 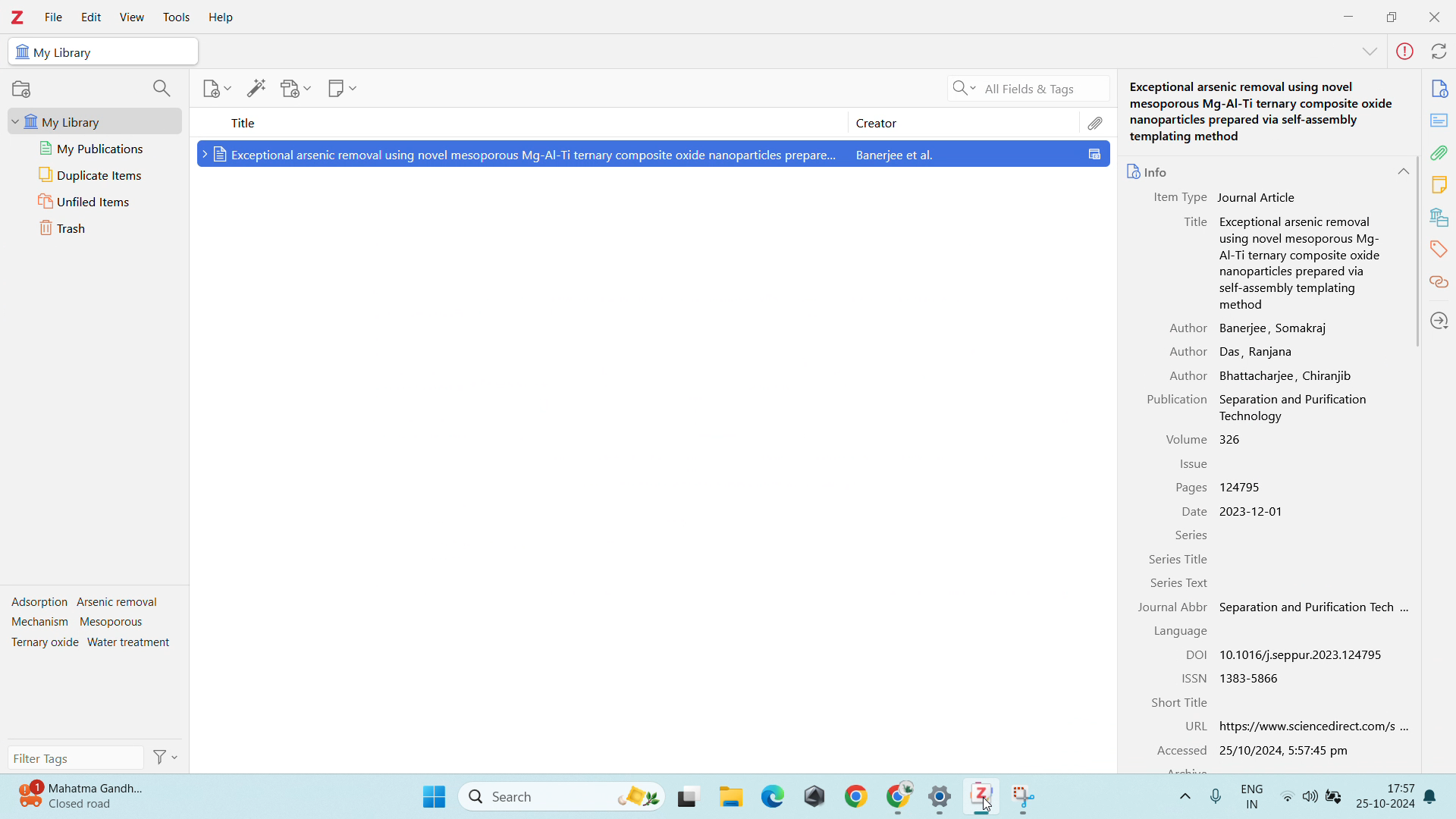 What do you see at coordinates (1026, 89) in the screenshot?
I see `search all fields & tags` at bounding box center [1026, 89].